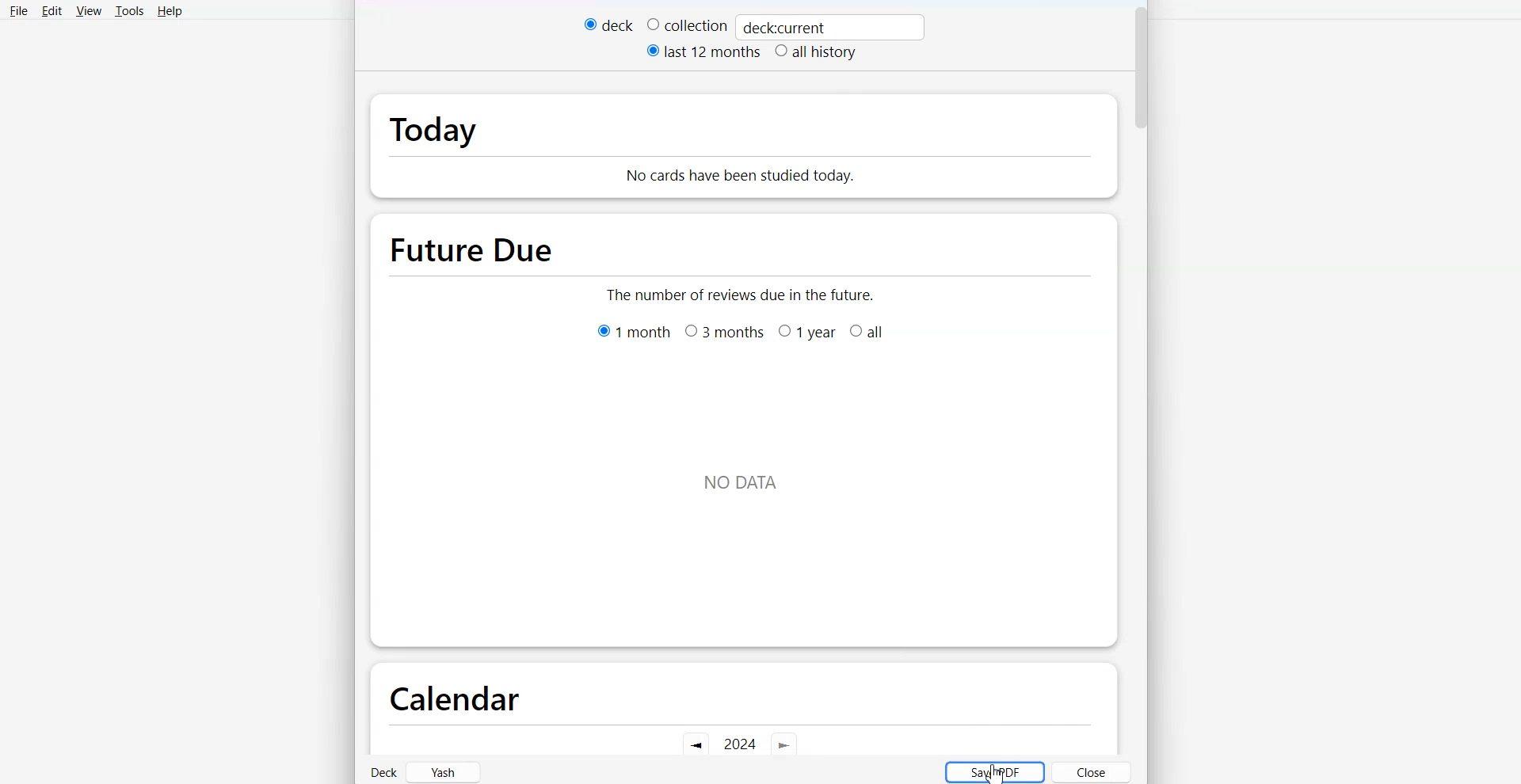 The image size is (1521, 784). Describe the element at coordinates (869, 332) in the screenshot. I see `All` at that location.